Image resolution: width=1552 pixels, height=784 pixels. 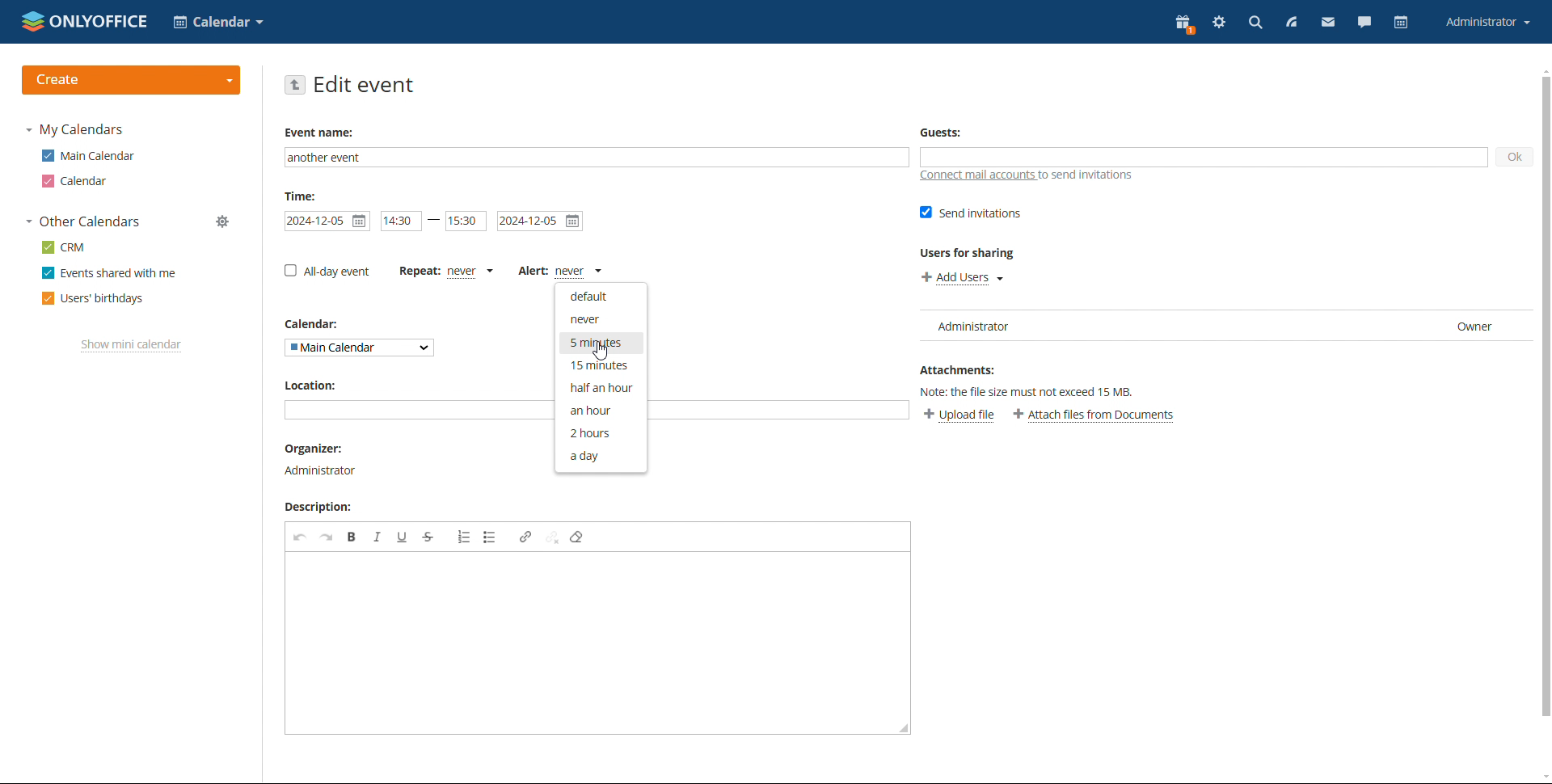 I want to click on account, so click(x=1487, y=23).